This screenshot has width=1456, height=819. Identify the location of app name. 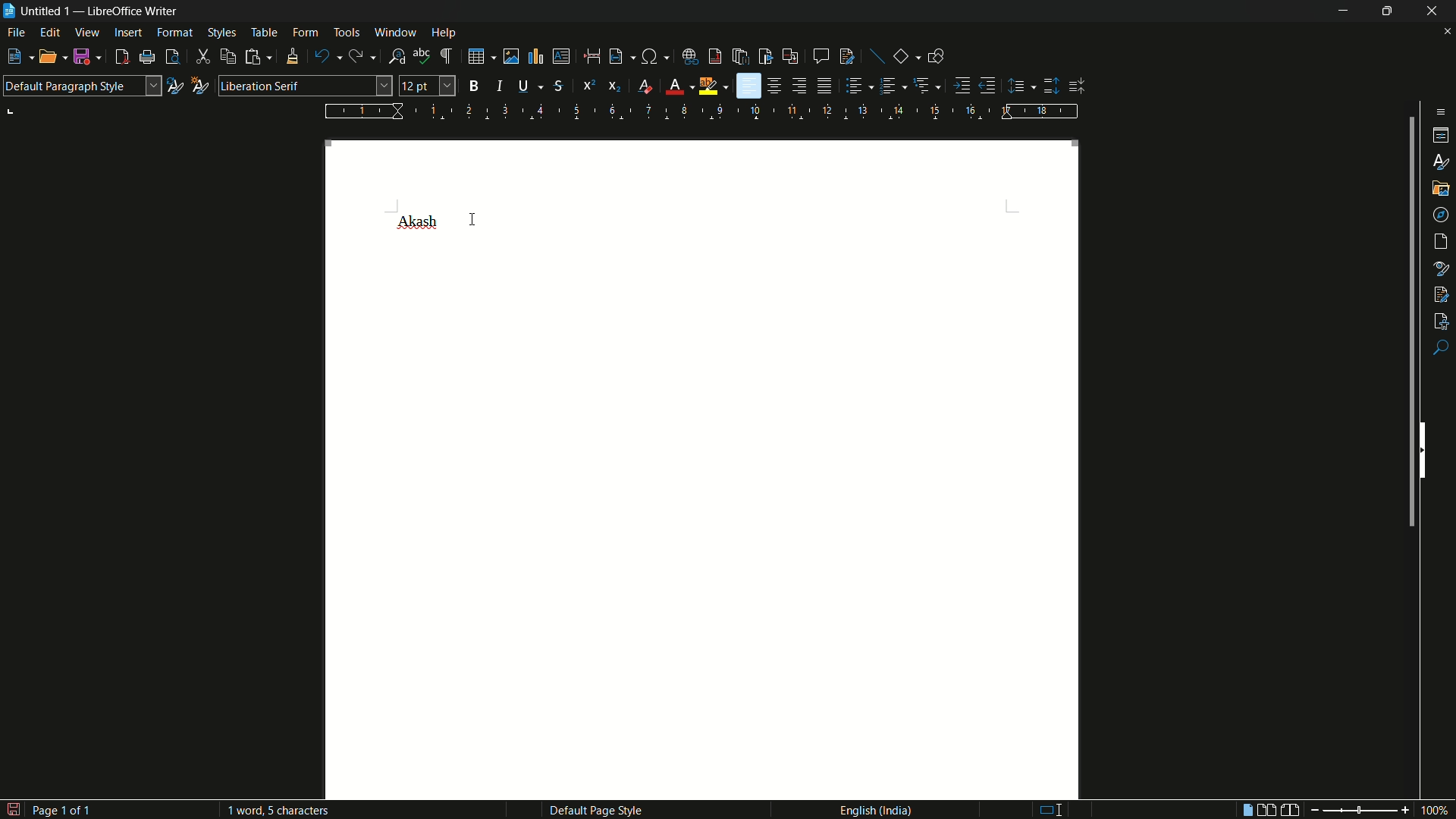
(134, 11).